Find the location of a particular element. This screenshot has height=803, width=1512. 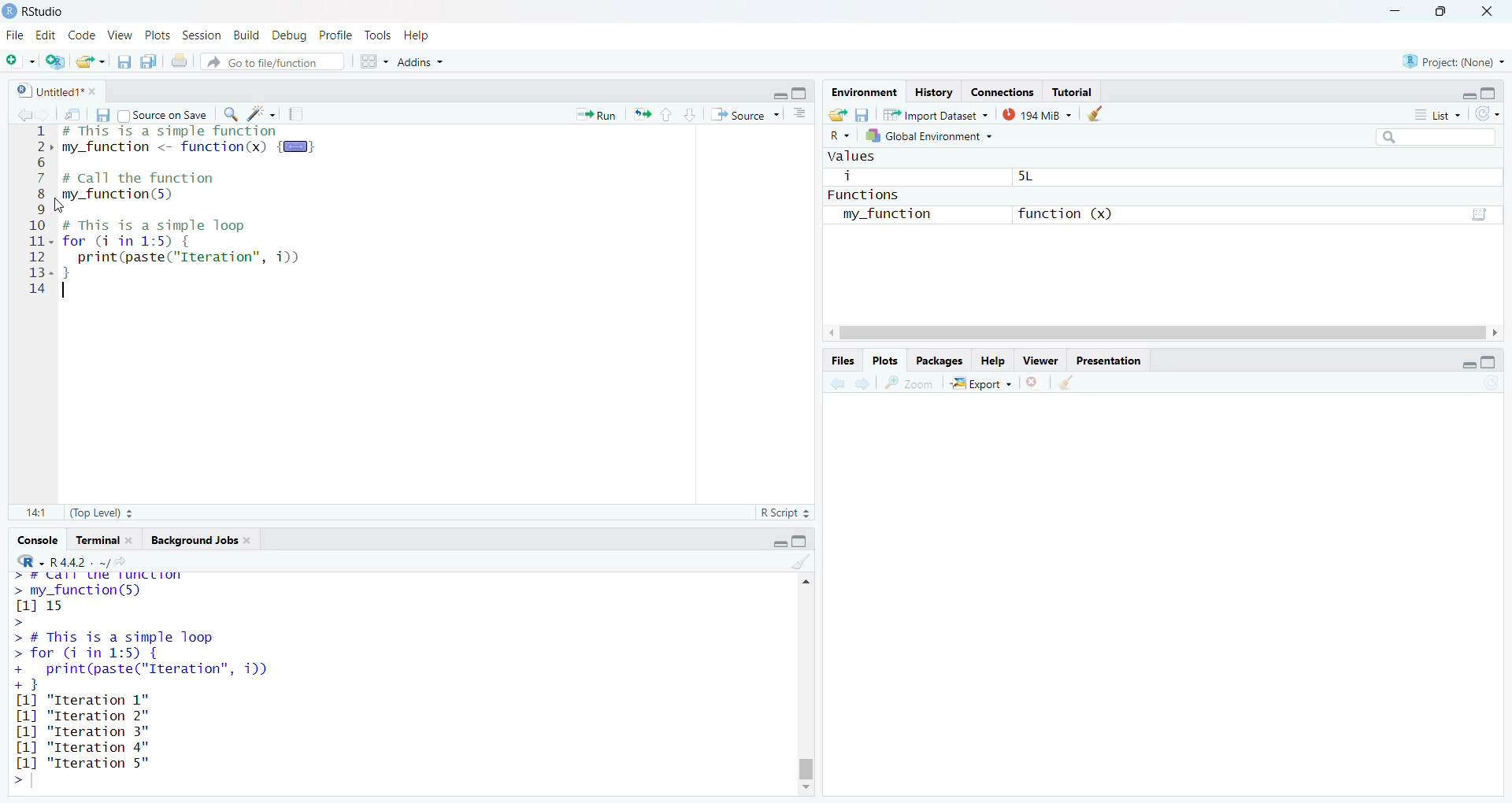

(Top Level) is located at coordinates (99, 515).